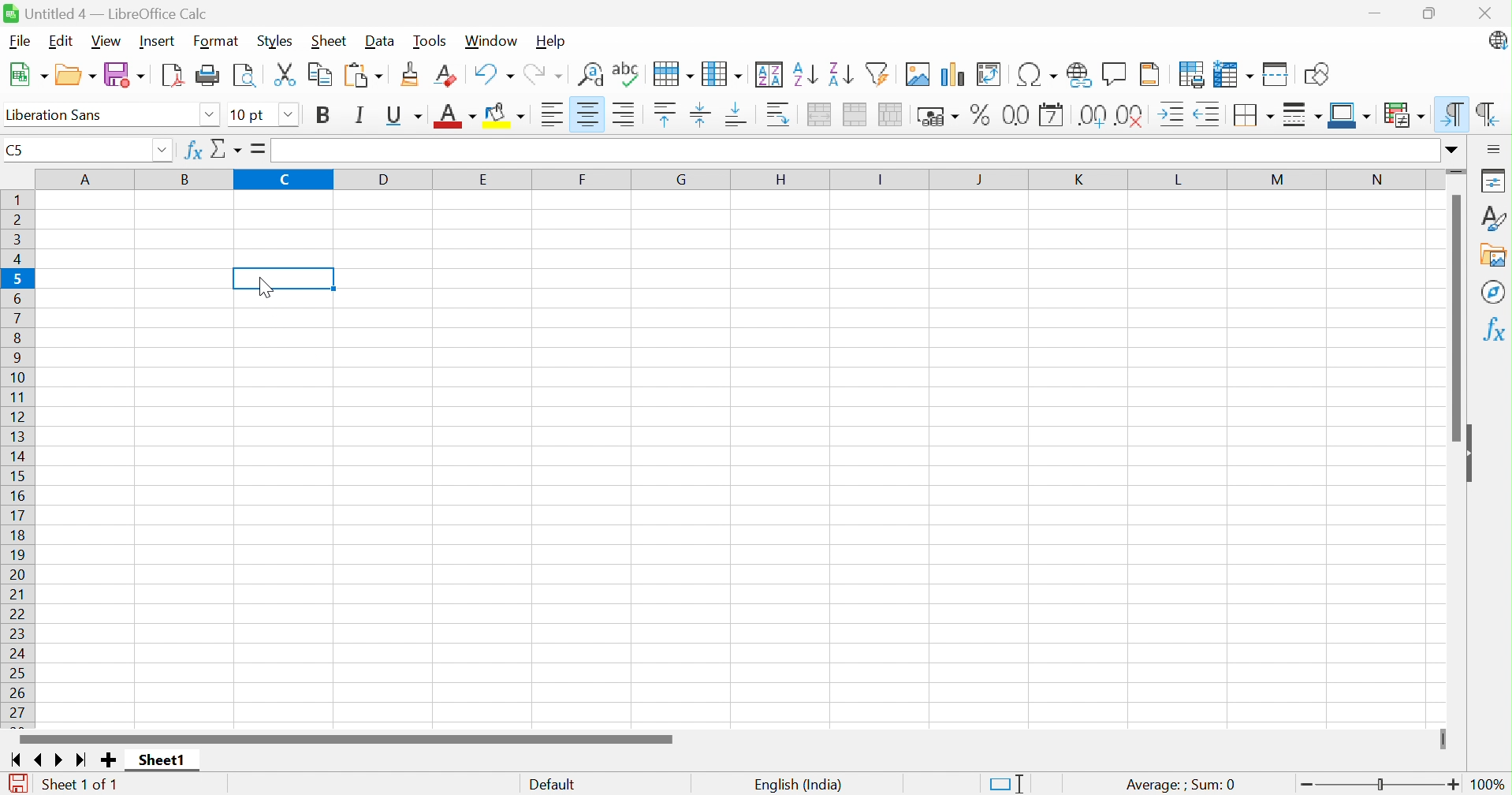 The height and width of the screenshot is (795, 1512). Describe the element at coordinates (158, 40) in the screenshot. I see `Insert` at that location.